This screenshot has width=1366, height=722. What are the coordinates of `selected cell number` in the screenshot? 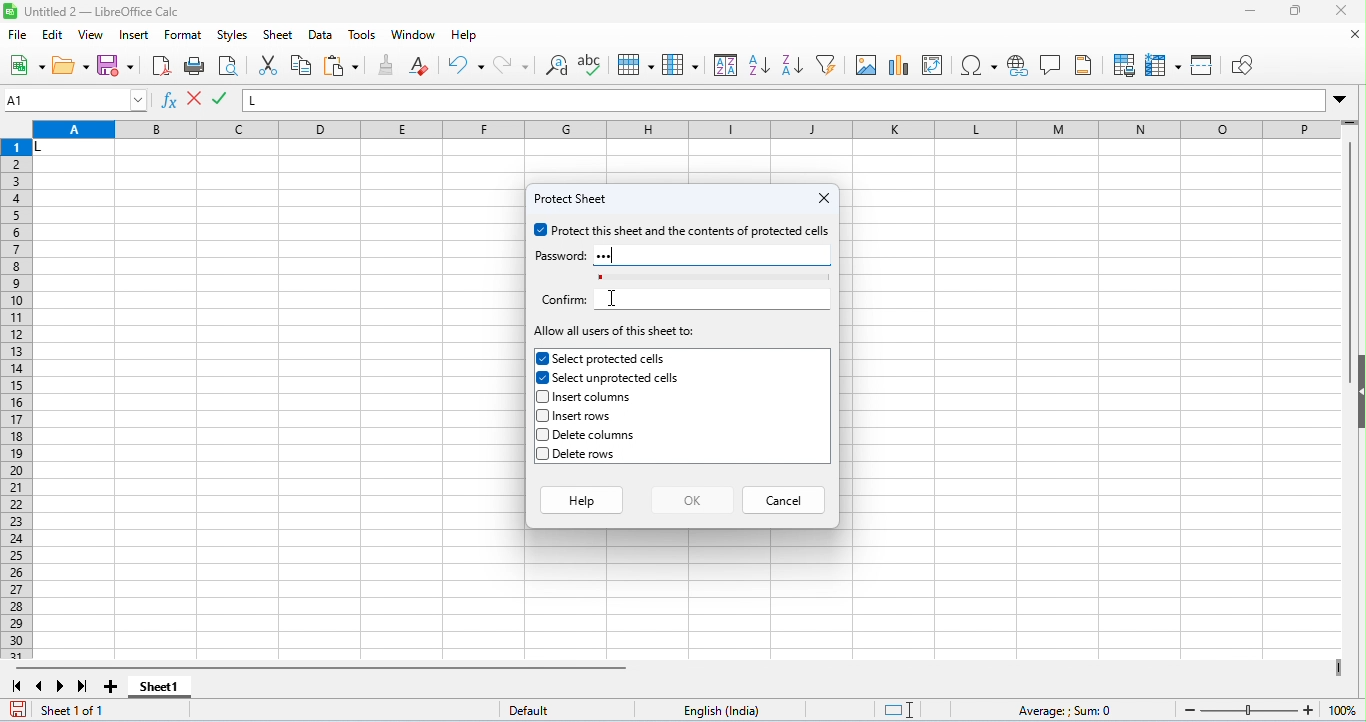 It's located at (76, 100).